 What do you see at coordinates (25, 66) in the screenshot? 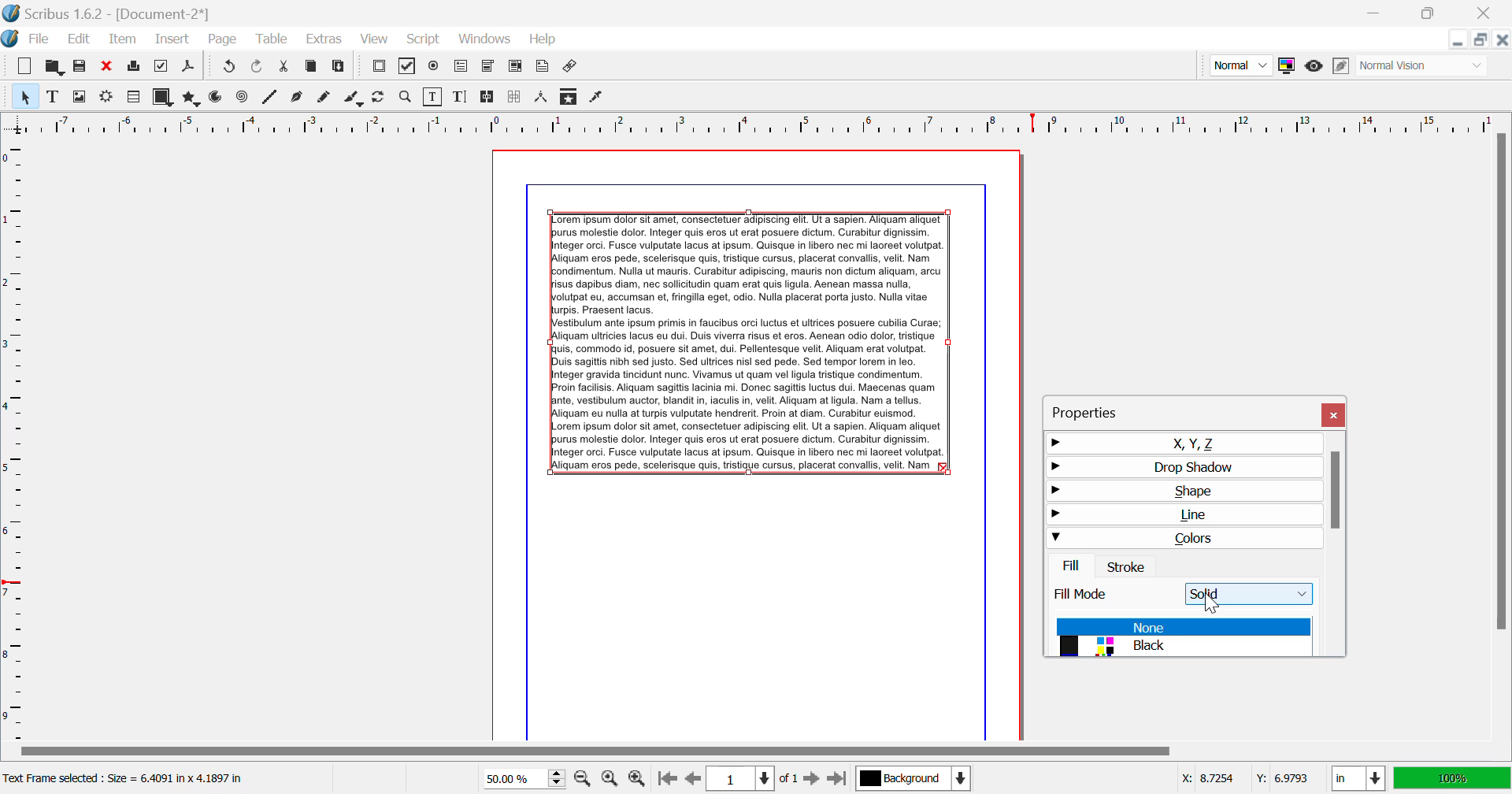
I see `New` at bounding box center [25, 66].